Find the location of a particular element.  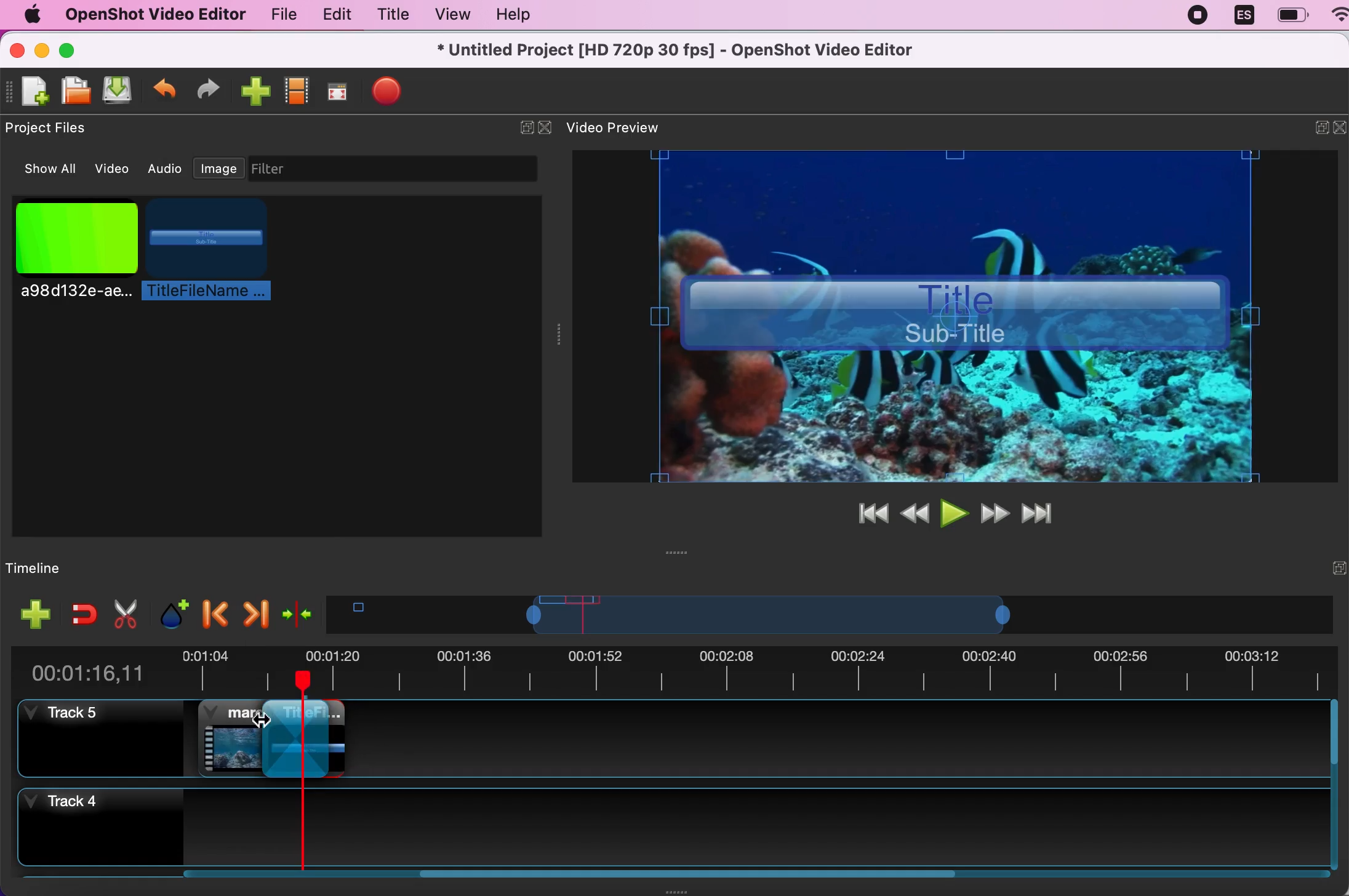

Cursor is located at coordinates (267, 730).